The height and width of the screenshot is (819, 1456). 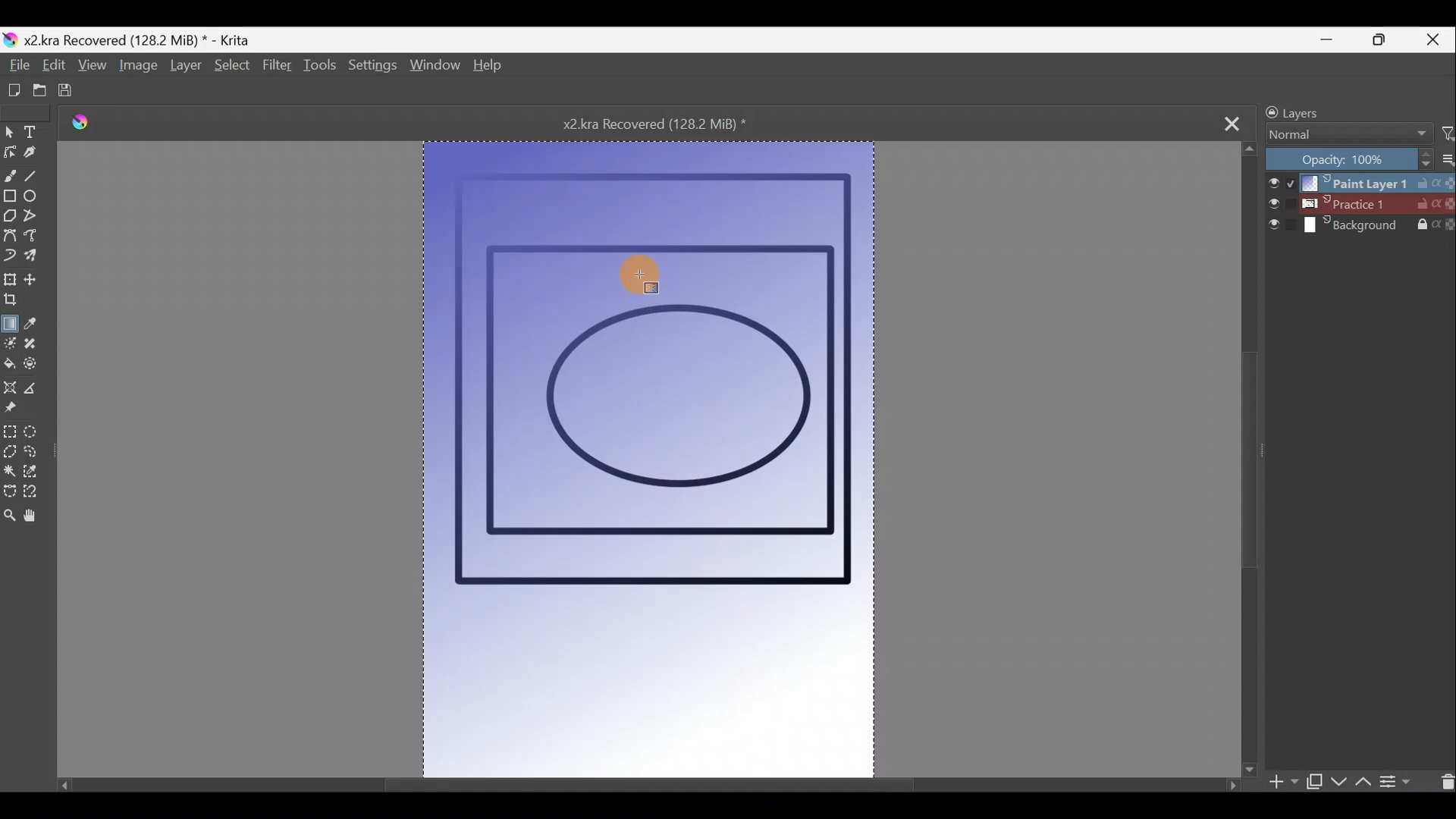 What do you see at coordinates (132, 39) in the screenshot?
I see `Document name` at bounding box center [132, 39].